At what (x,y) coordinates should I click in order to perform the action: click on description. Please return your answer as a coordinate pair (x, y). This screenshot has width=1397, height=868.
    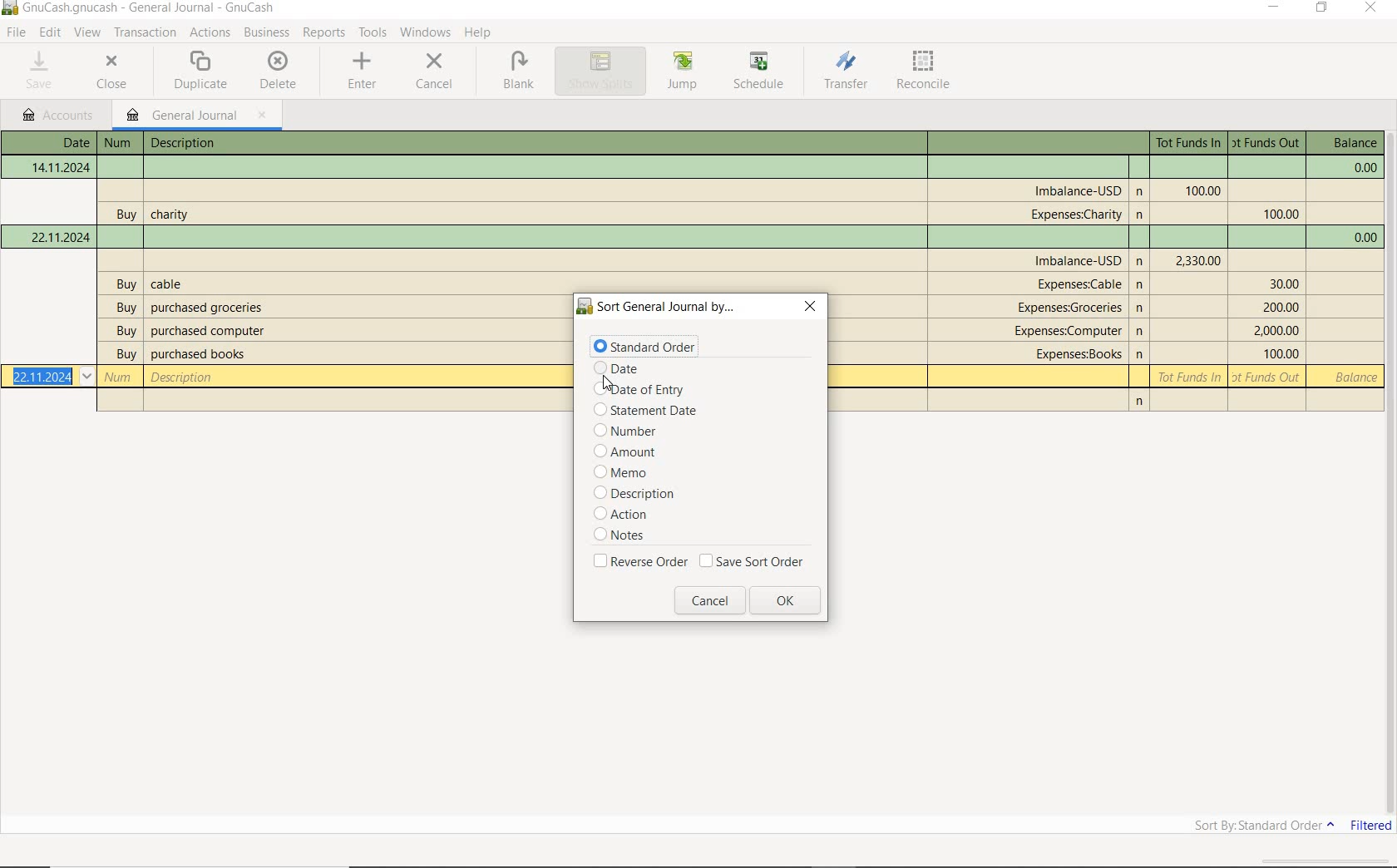
    Looking at the image, I should click on (213, 308).